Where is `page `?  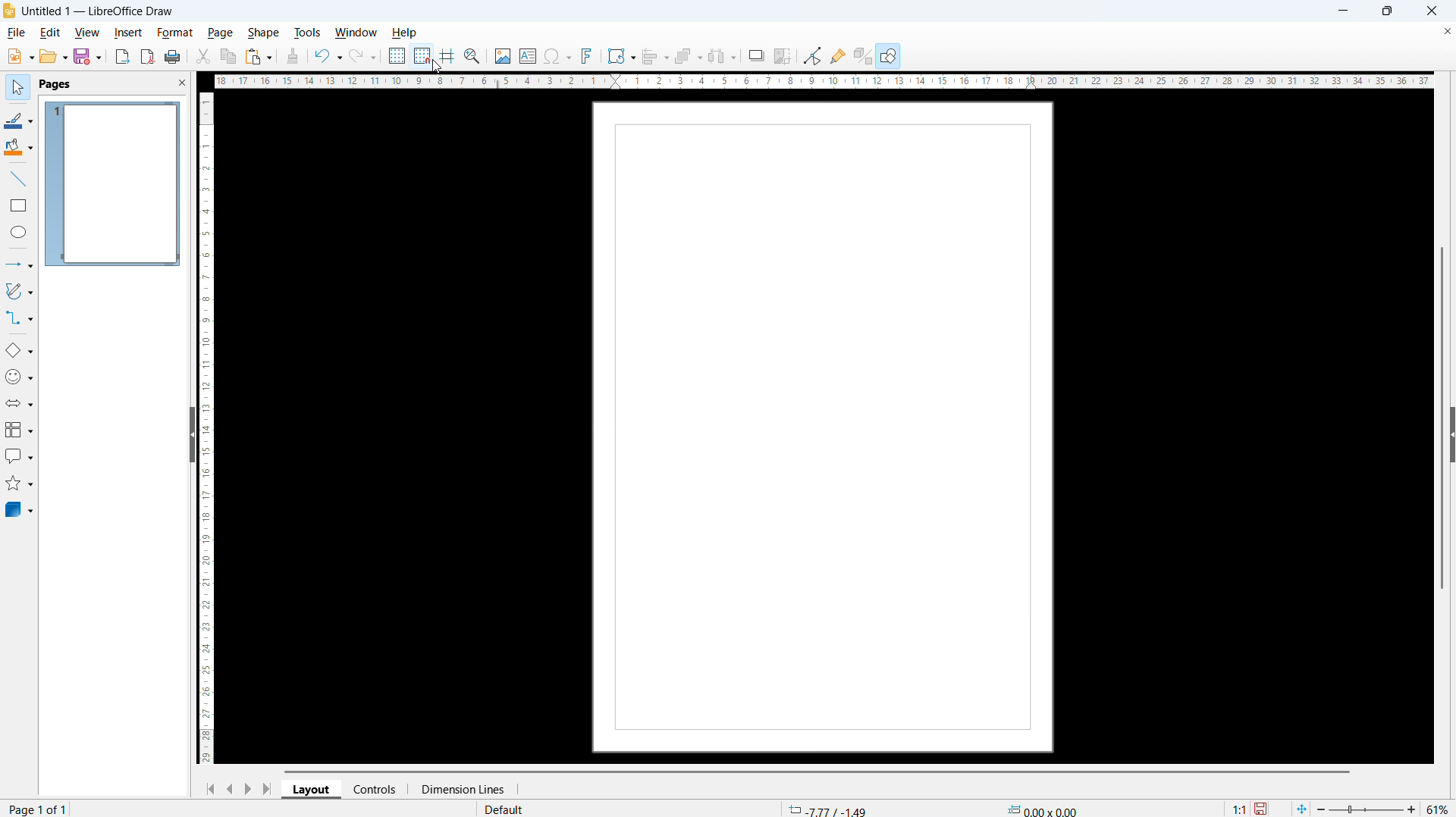
page  is located at coordinates (221, 33).